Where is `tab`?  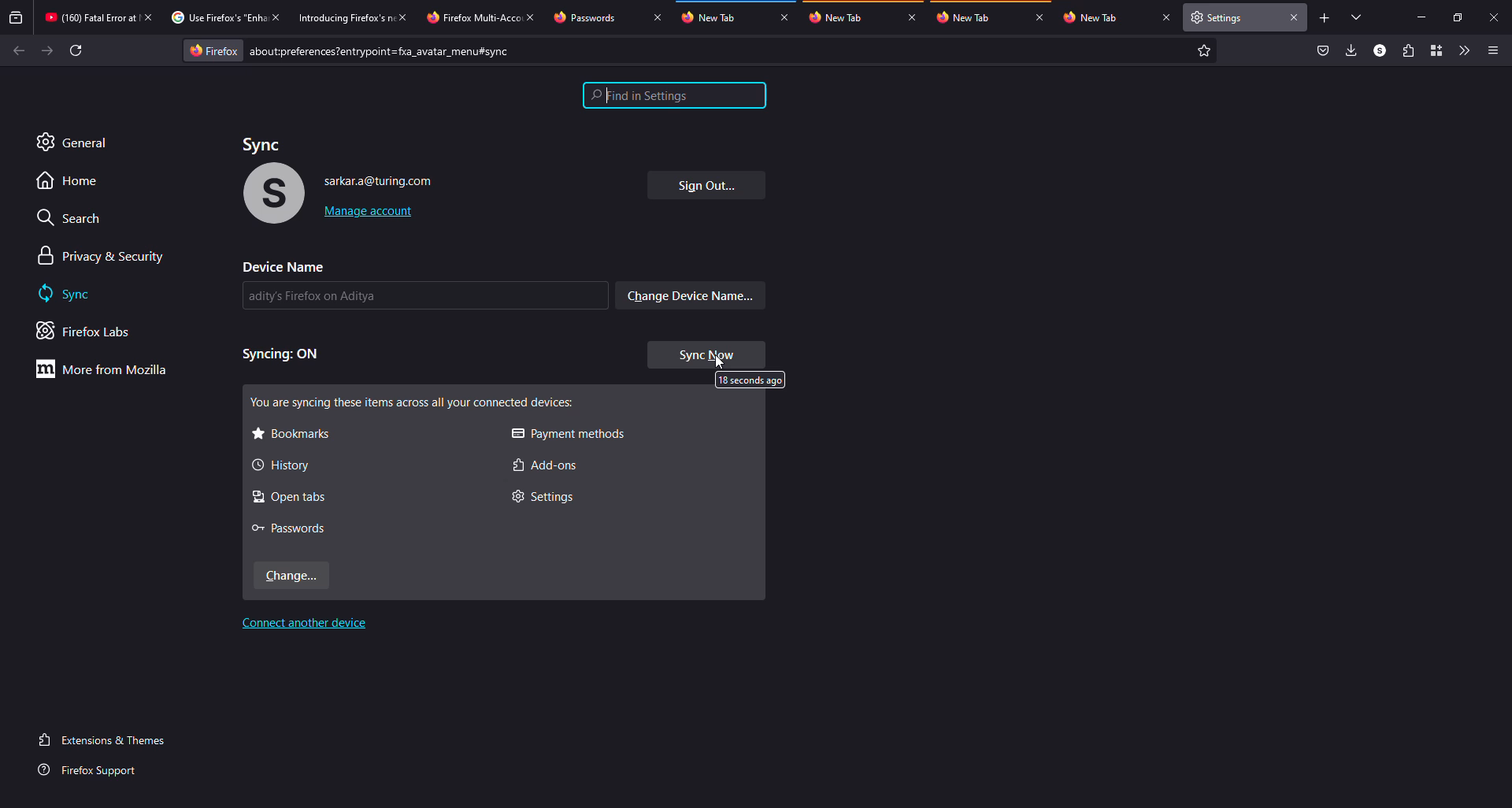
tab is located at coordinates (345, 17).